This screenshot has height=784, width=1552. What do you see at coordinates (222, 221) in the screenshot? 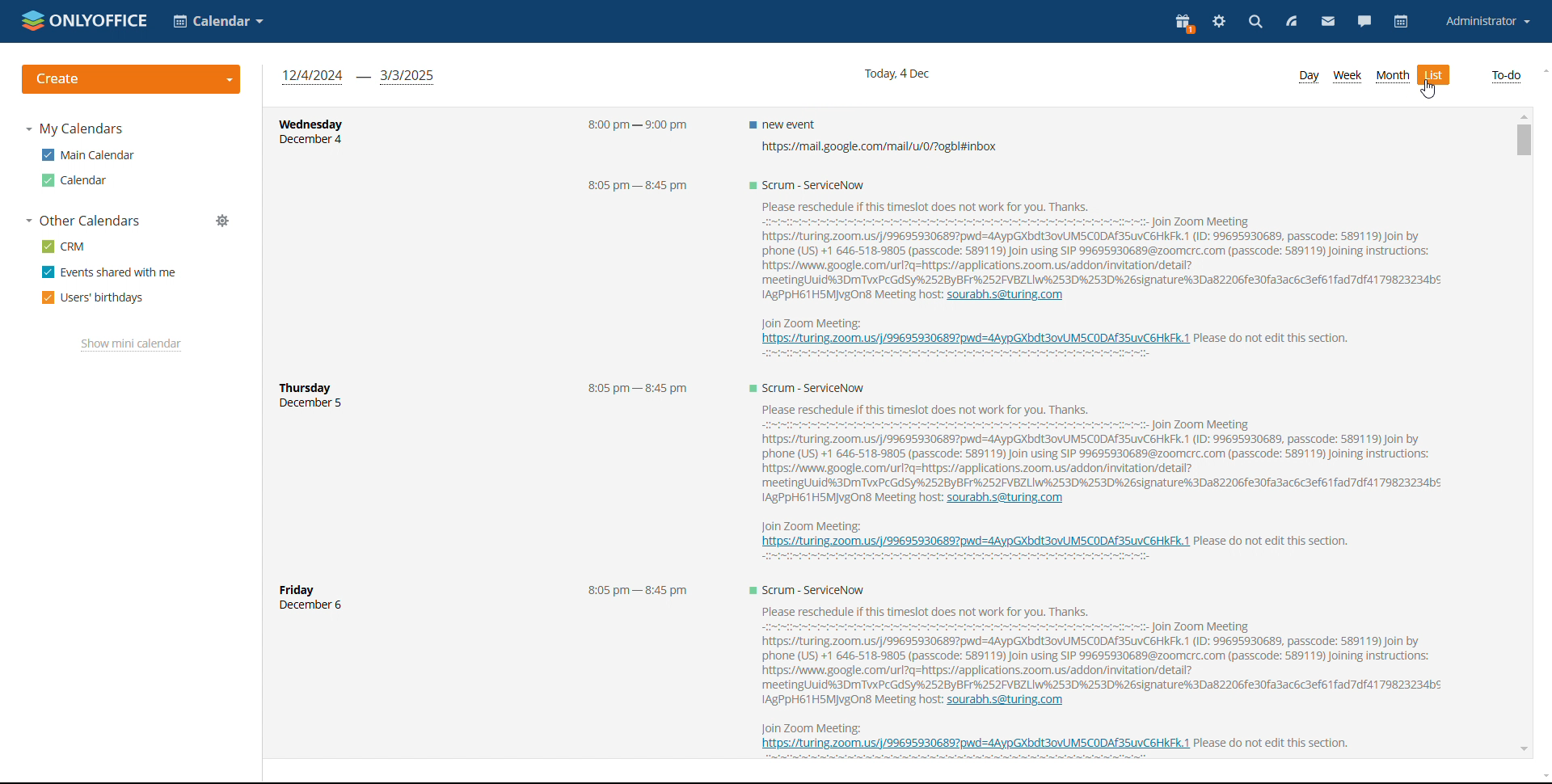
I see `manage` at bounding box center [222, 221].